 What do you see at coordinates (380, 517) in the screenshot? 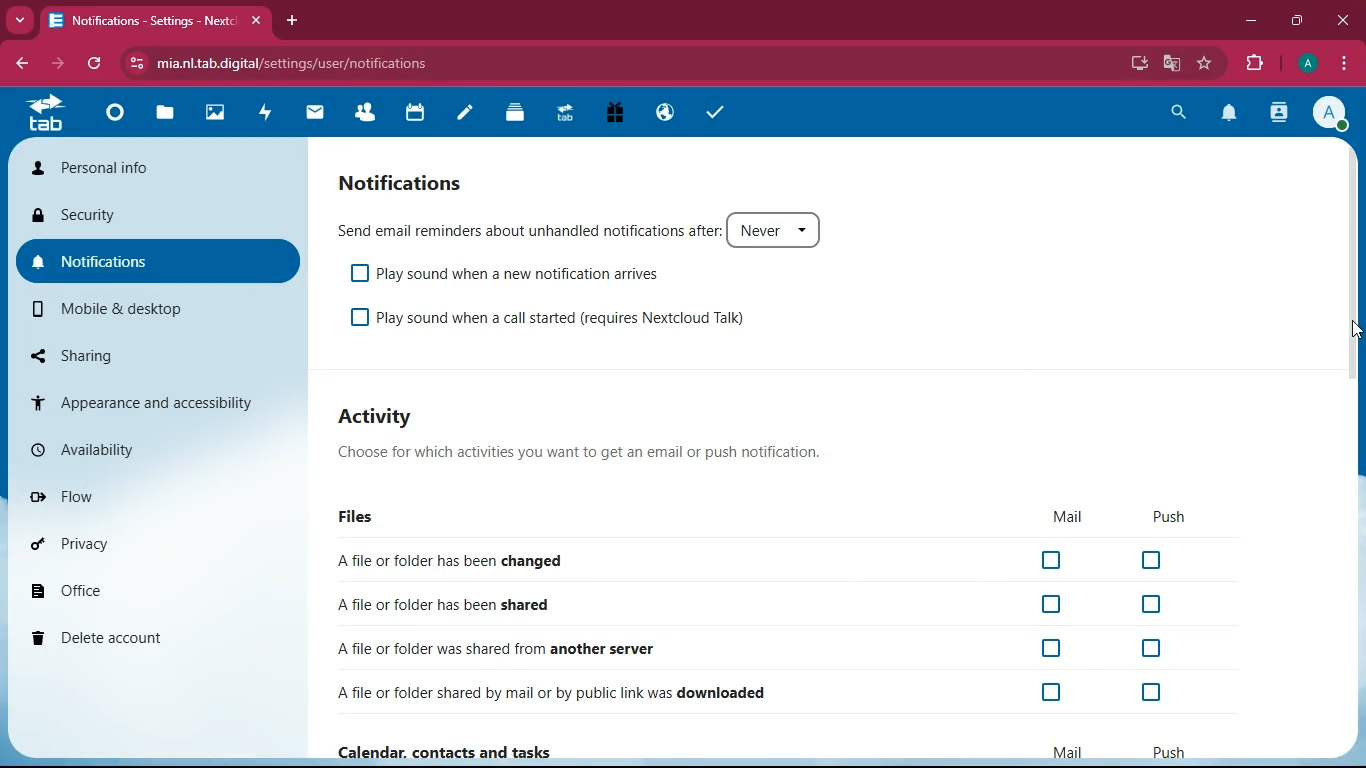
I see `files` at bounding box center [380, 517].